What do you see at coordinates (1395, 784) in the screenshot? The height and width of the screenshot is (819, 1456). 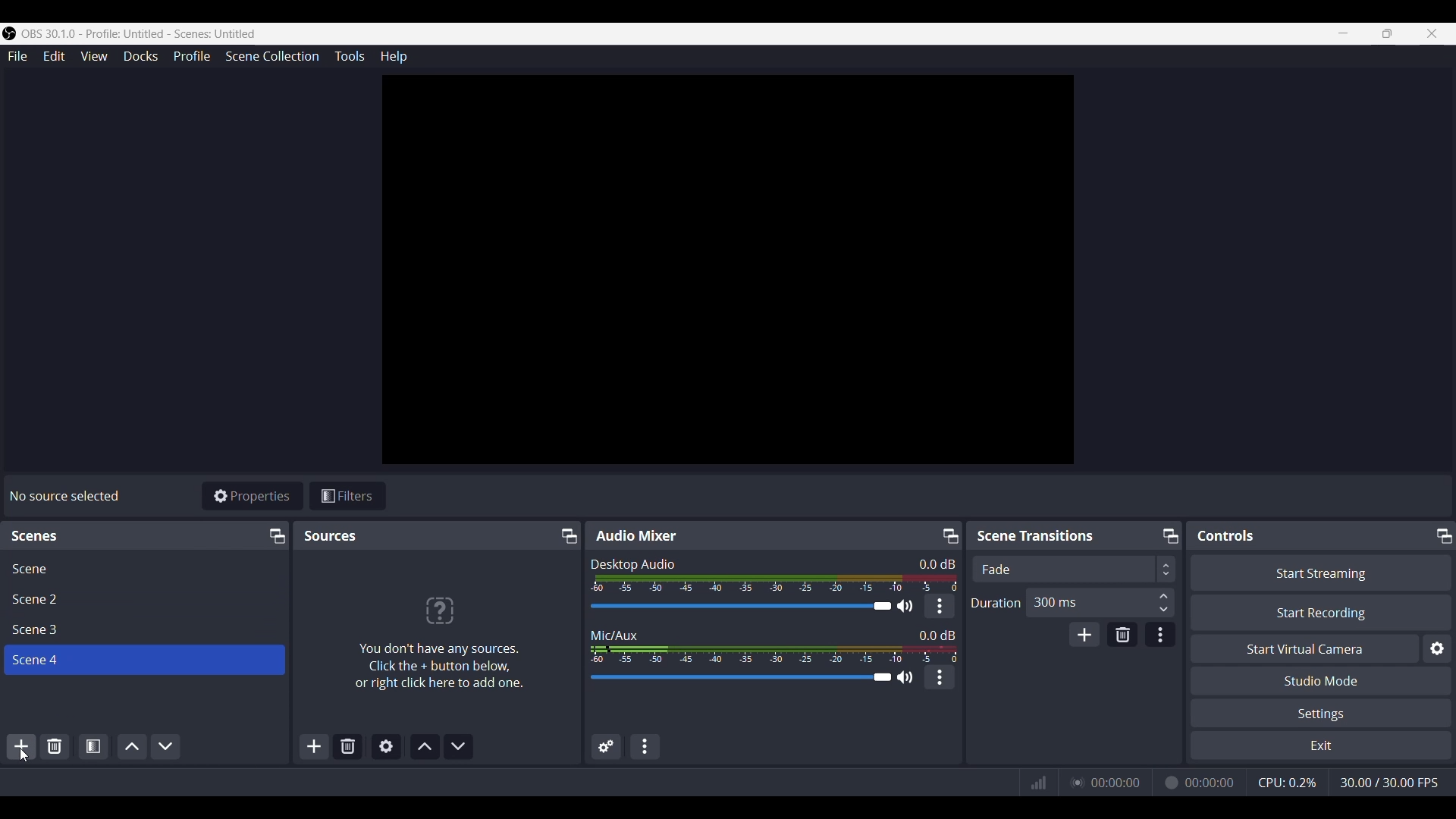 I see `30.00/30.00 FPS` at bounding box center [1395, 784].